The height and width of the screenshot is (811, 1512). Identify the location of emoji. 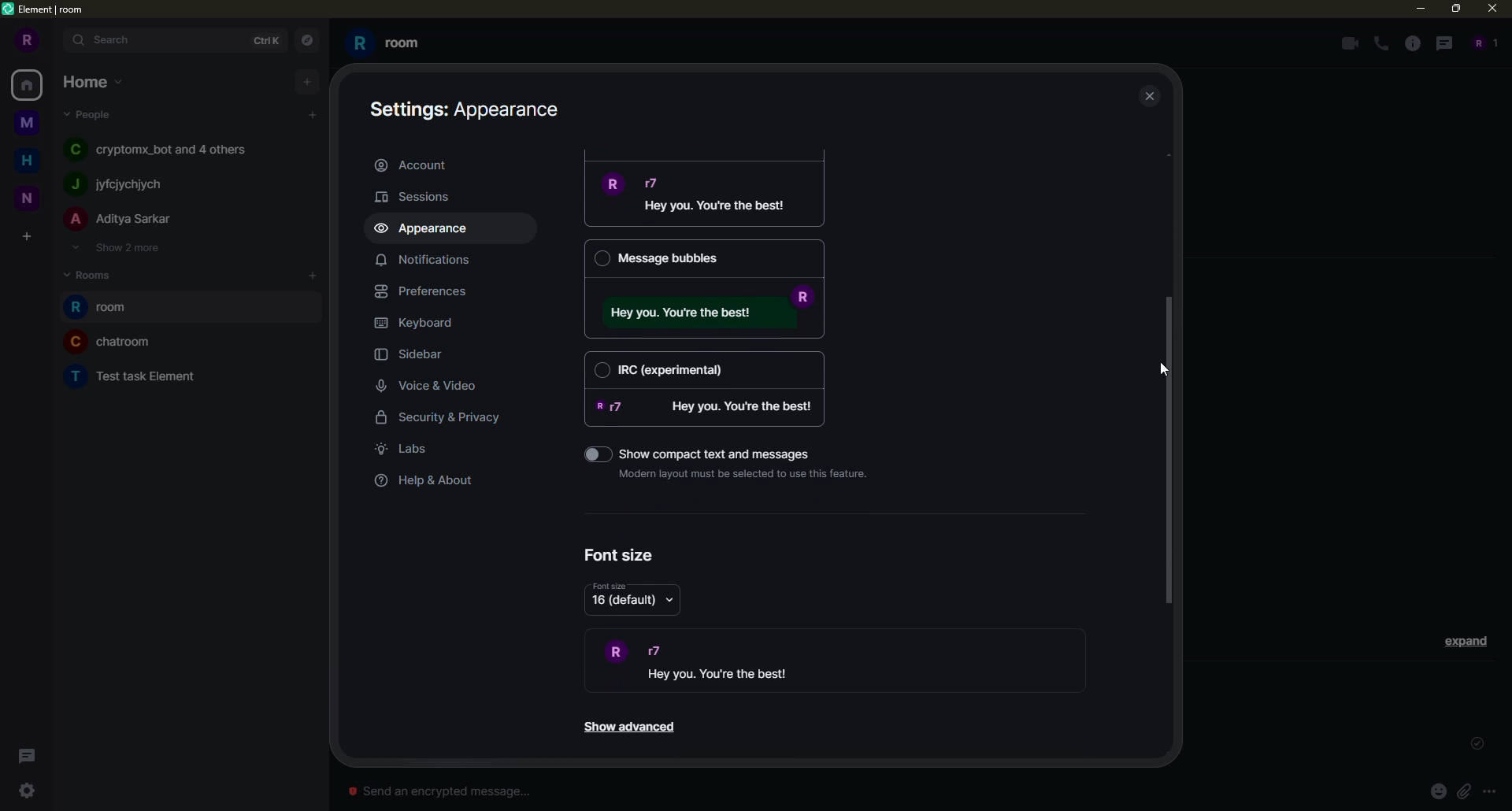
(1438, 791).